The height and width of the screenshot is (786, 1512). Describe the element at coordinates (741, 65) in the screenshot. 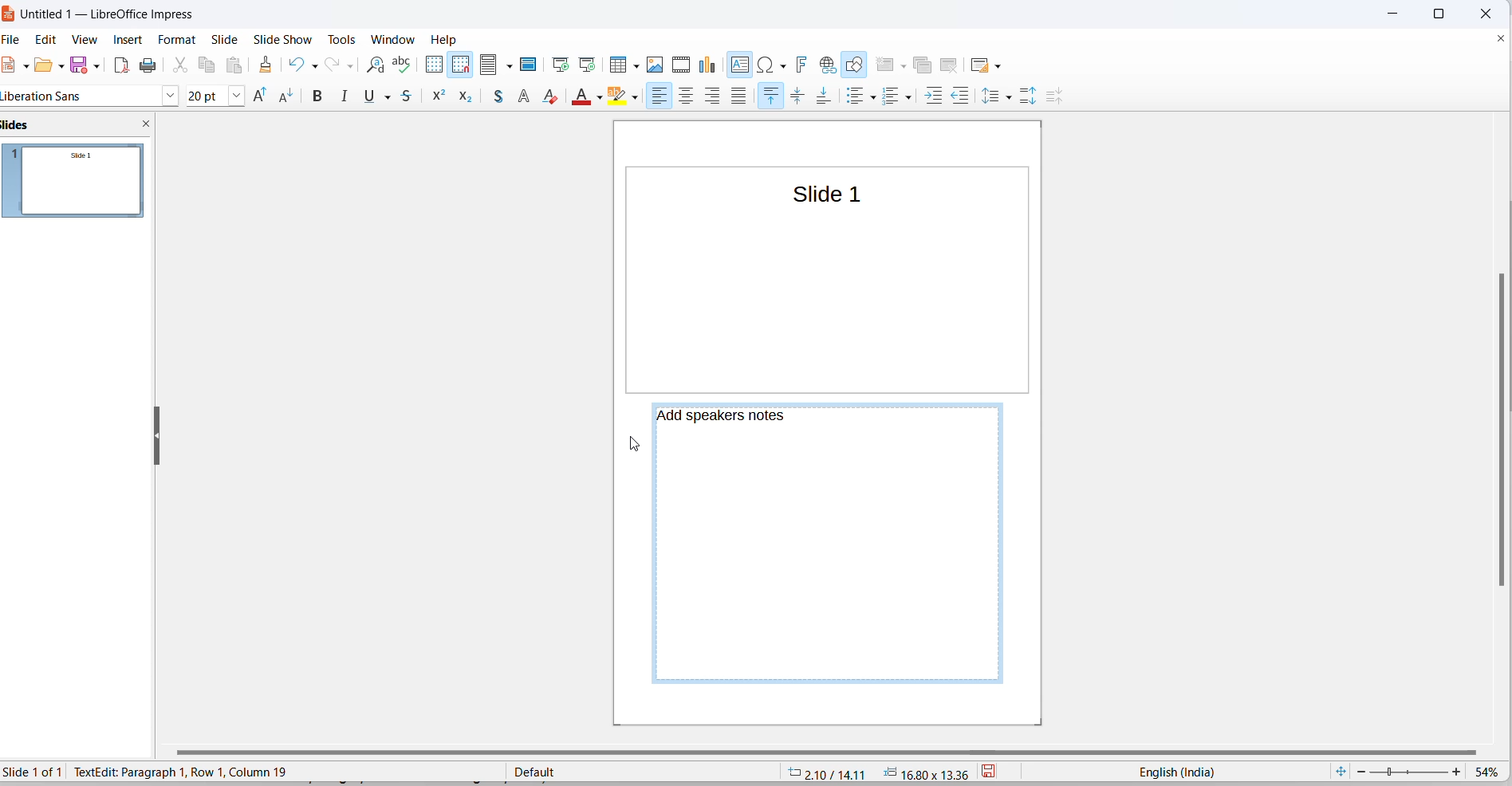

I see `insert text` at that location.